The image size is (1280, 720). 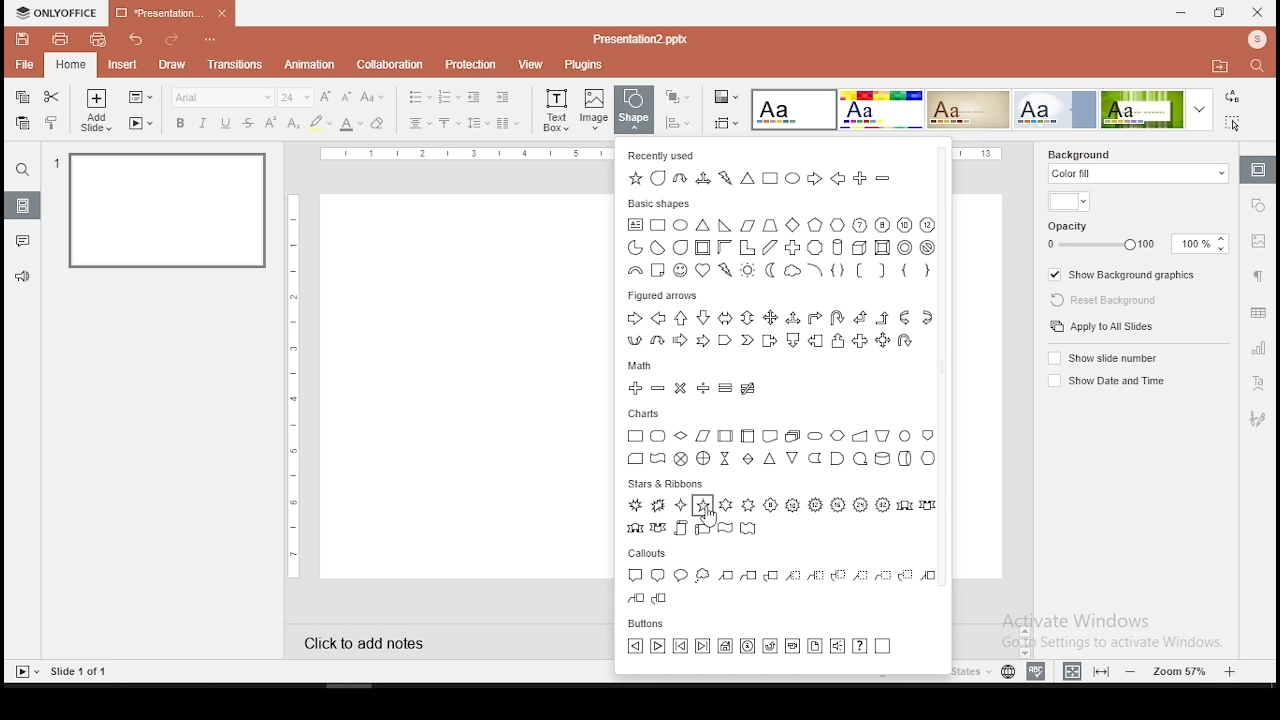 What do you see at coordinates (1160, 109) in the screenshot?
I see `theme` at bounding box center [1160, 109].